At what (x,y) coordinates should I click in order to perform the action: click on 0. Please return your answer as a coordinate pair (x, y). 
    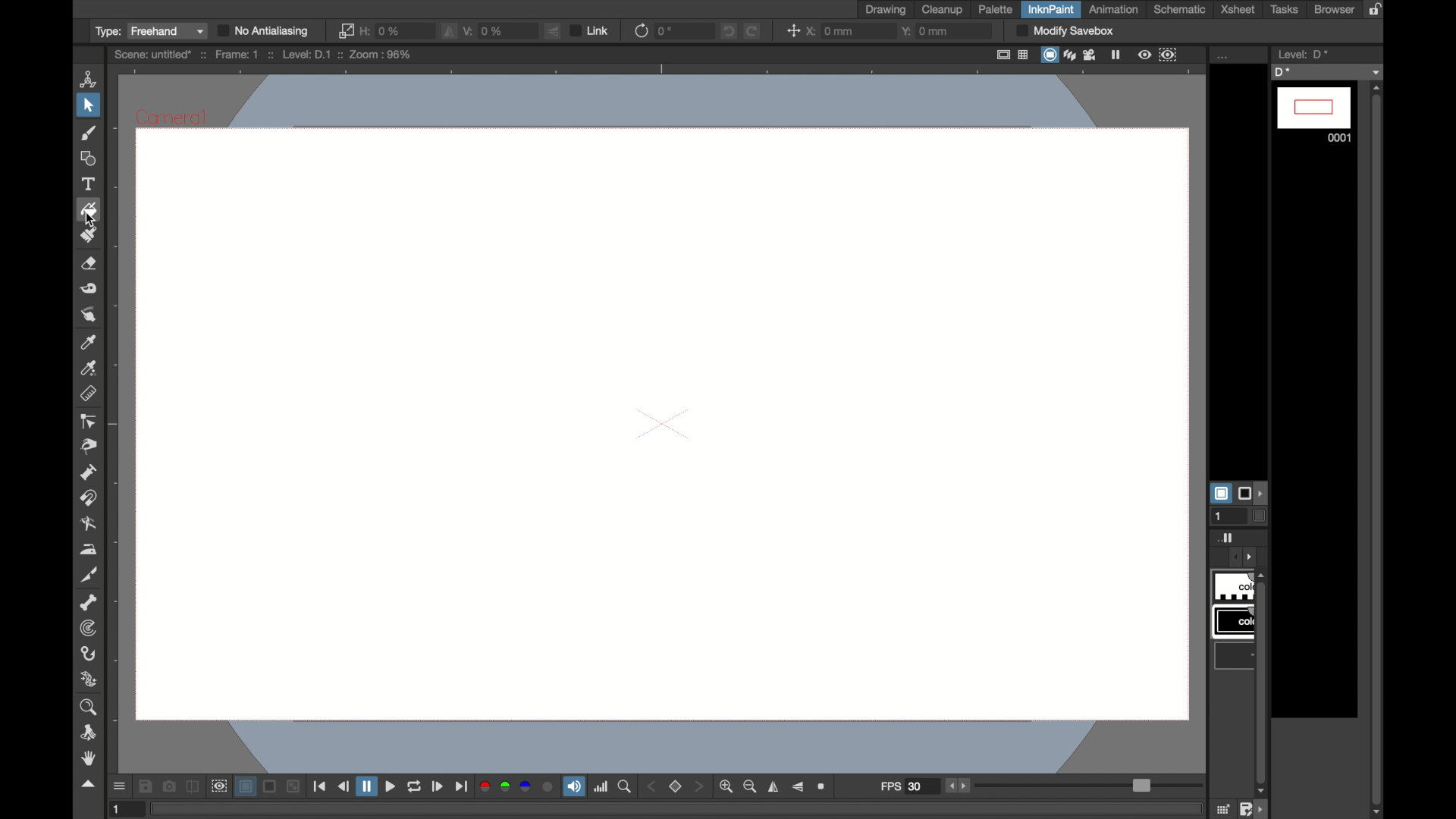
    Looking at the image, I should click on (381, 31).